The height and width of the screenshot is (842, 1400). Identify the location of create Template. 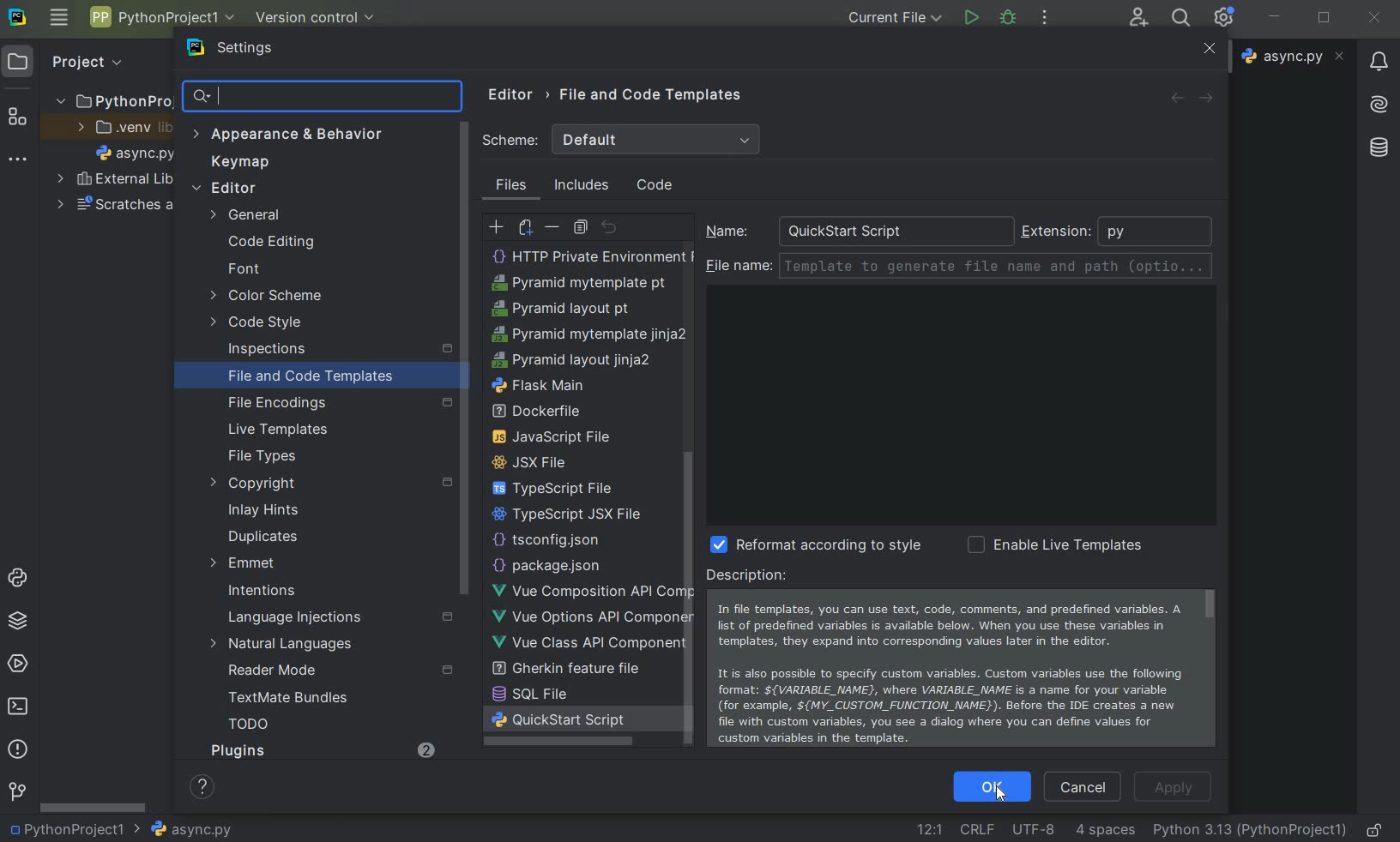
(583, 282).